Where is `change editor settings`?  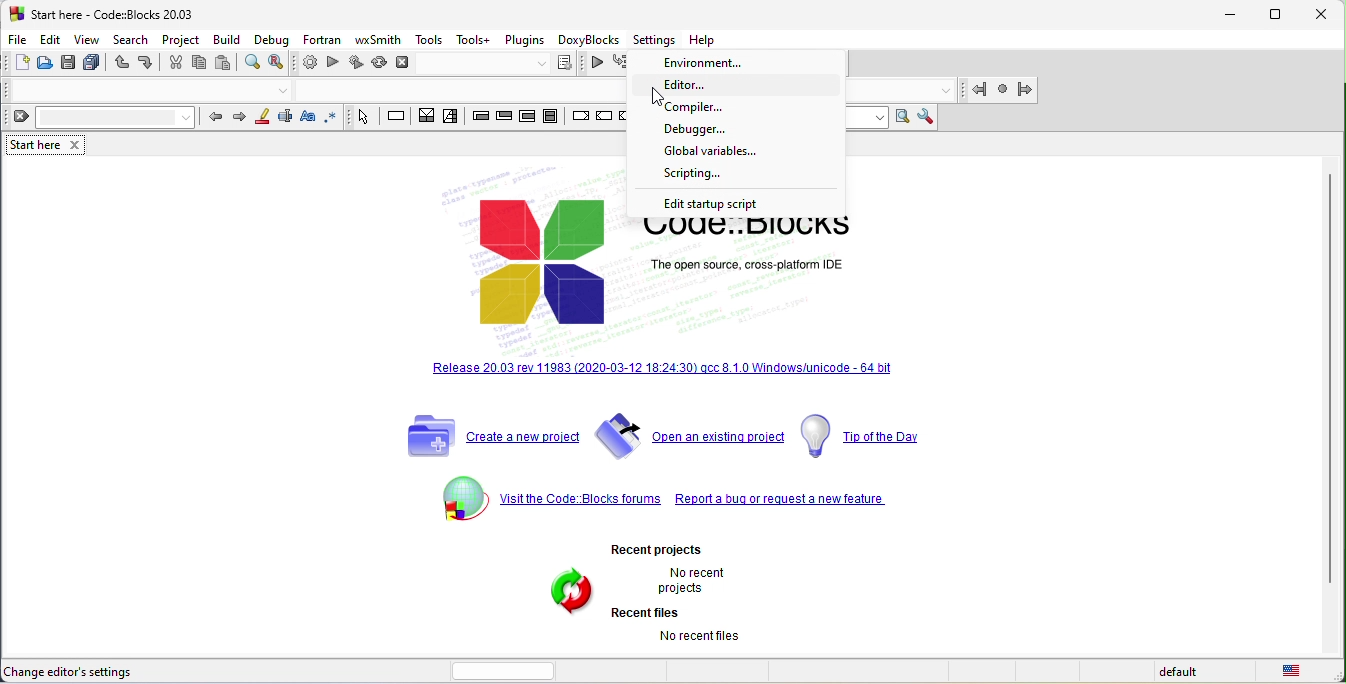 change editor settings is located at coordinates (87, 670).